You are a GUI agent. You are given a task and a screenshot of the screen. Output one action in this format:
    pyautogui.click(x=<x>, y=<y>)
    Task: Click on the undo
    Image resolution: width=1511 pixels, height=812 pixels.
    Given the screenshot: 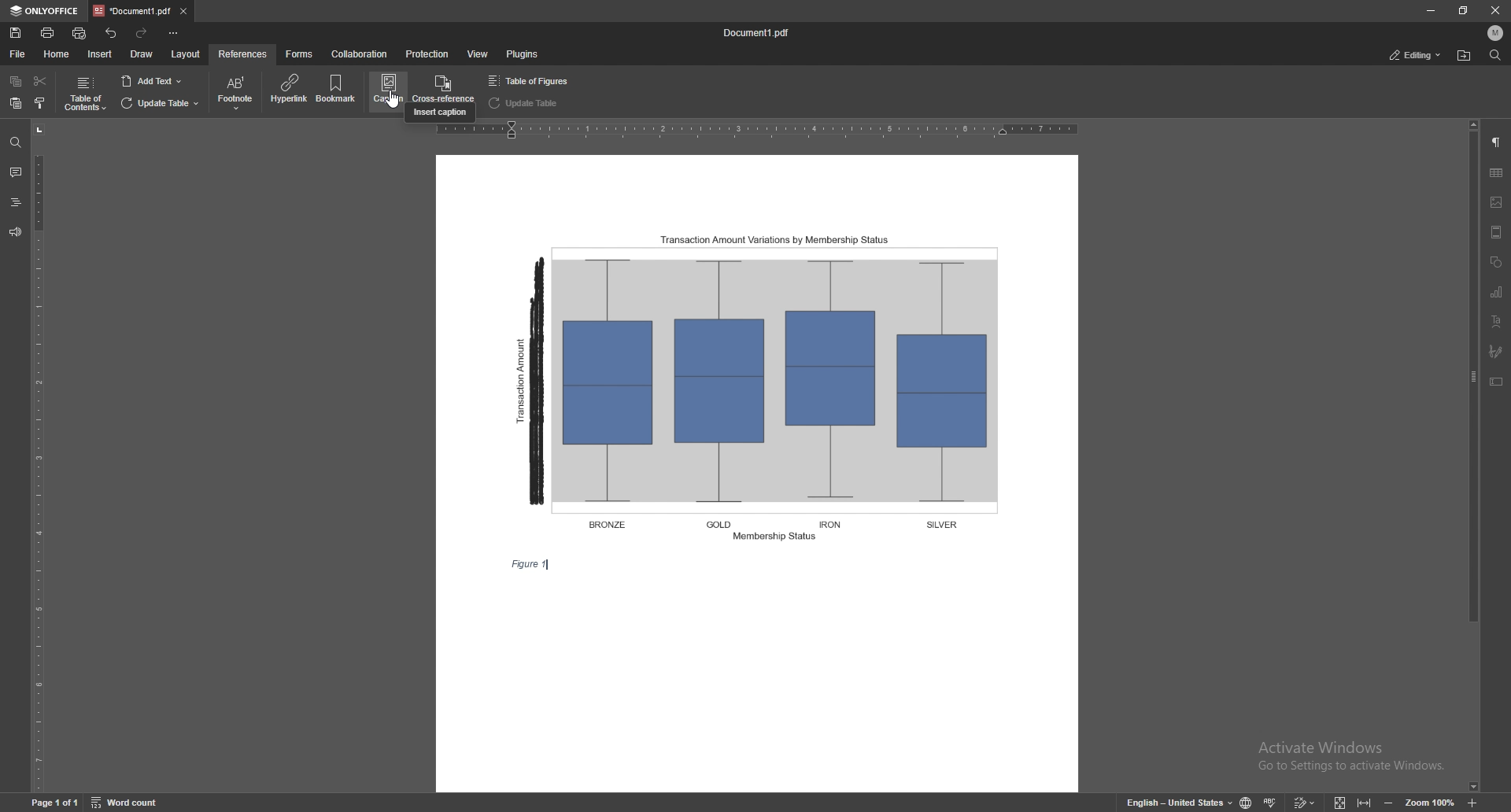 What is the action you would take?
    pyautogui.click(x=112, y=34)
    